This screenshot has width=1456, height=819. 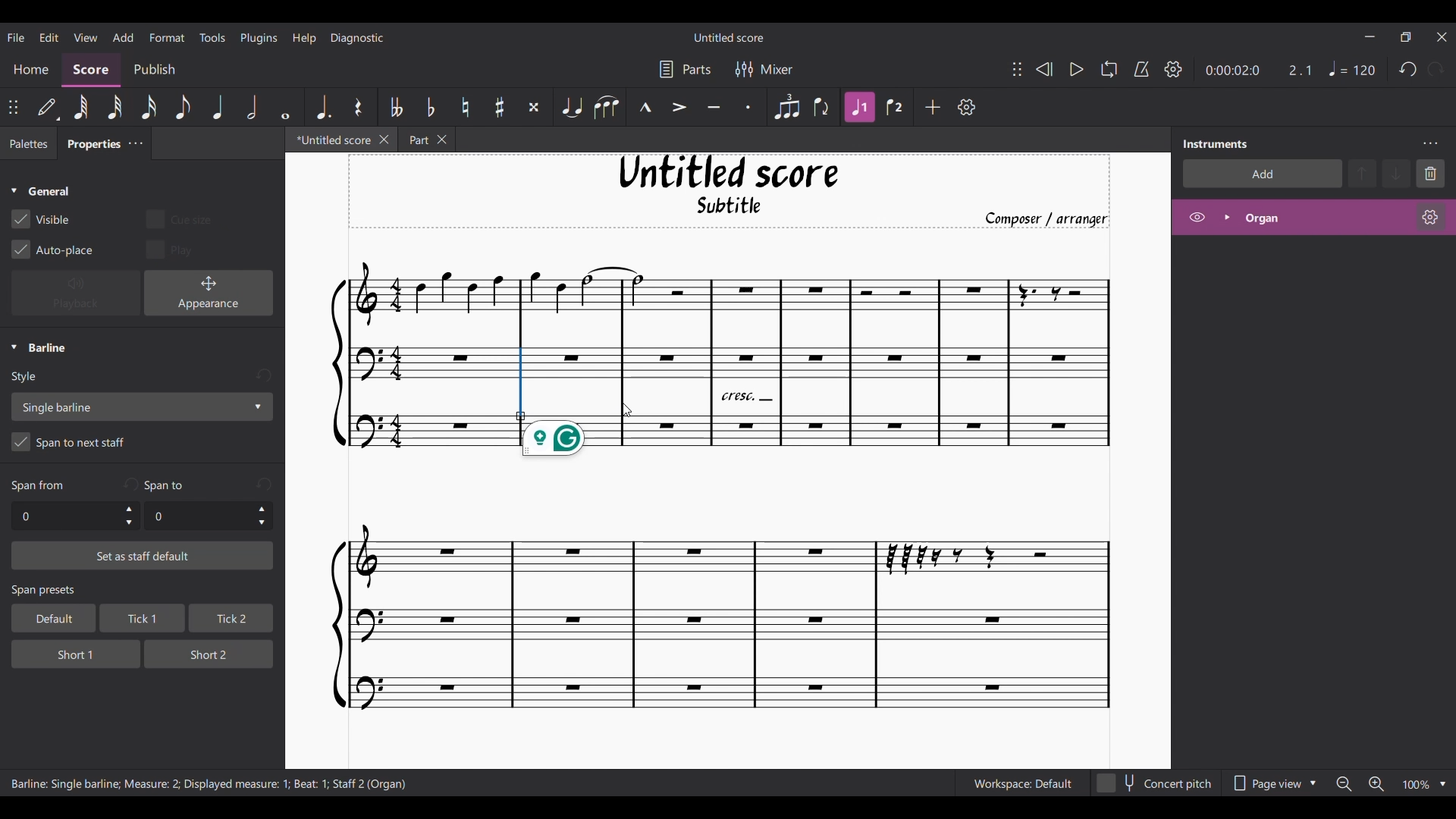 What do you see at coordinates (728, 37) in the screenshot?
I see `Score title` at bounding box center [728, 37].